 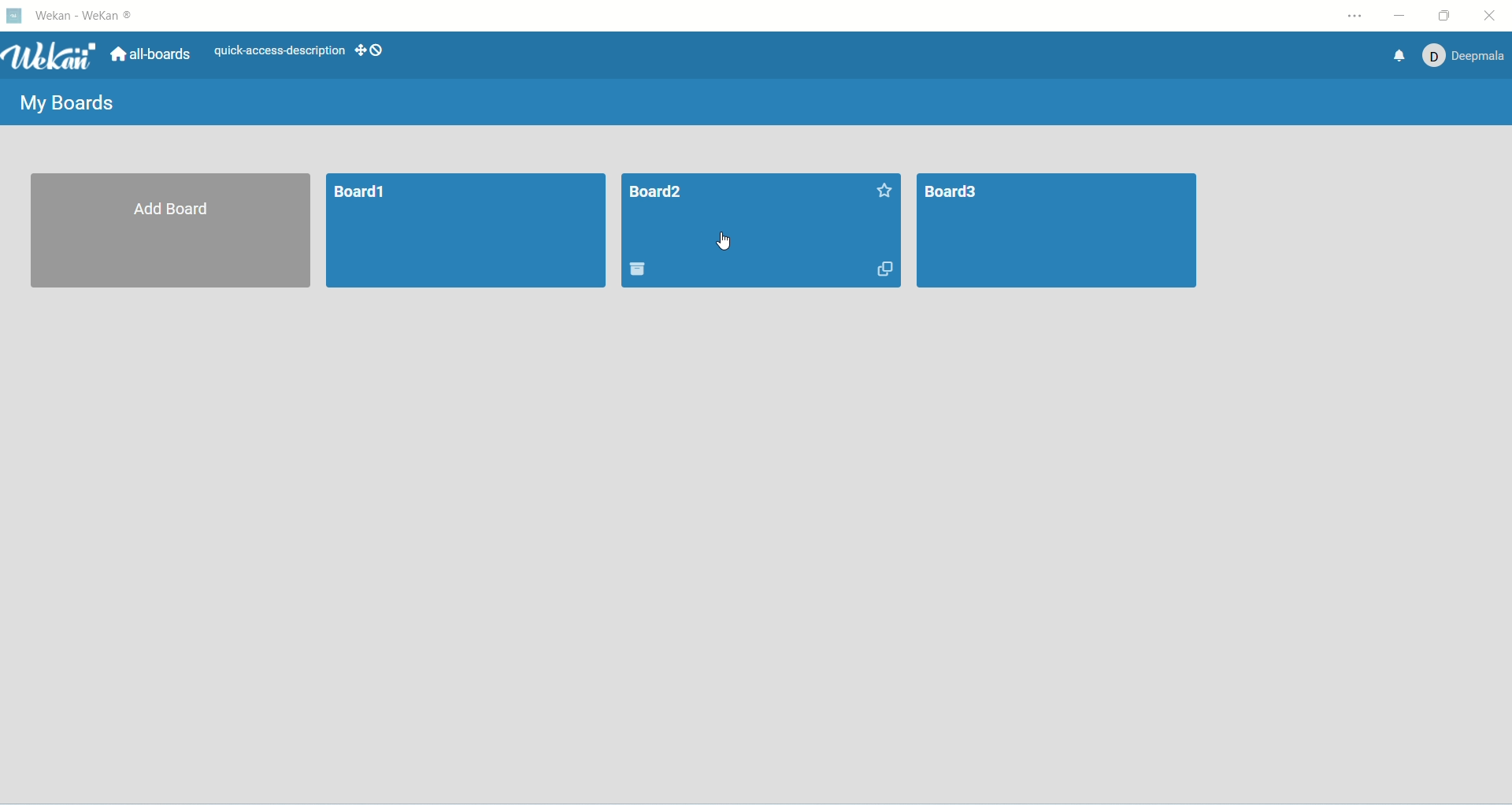 I want to click on logo, so click(x=13, y=17).